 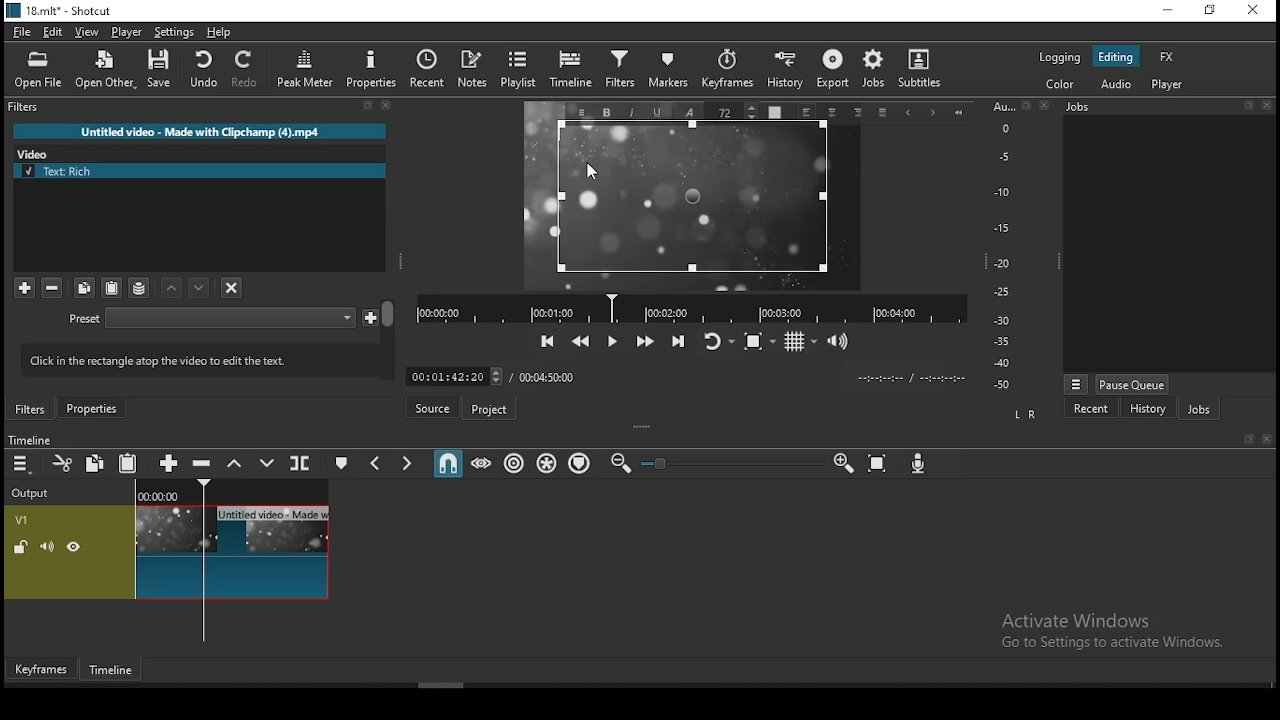 I want to click on save filter sets, so click(x=139, y=287).